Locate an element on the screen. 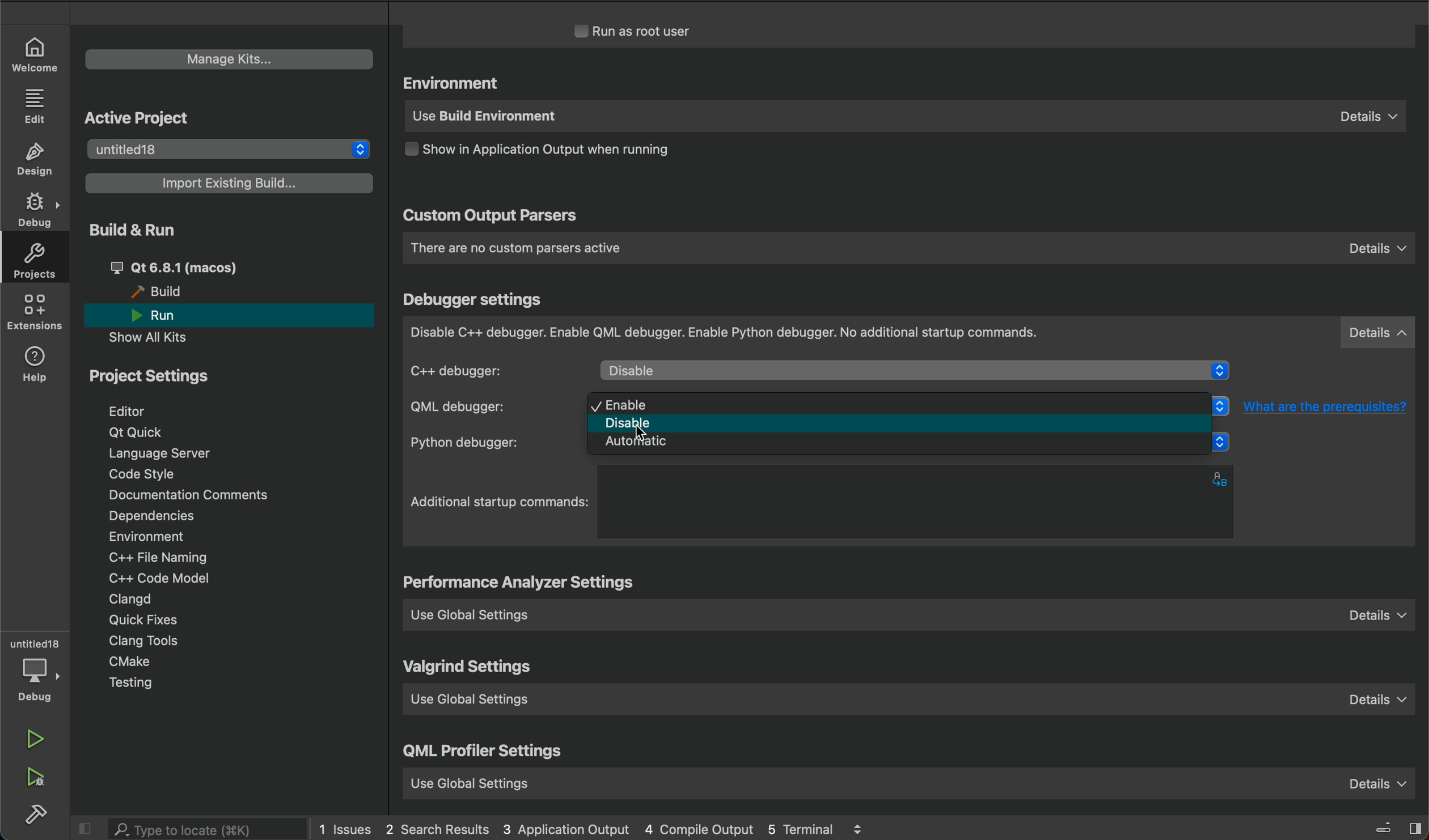  help is located at coordinates (39, 364).